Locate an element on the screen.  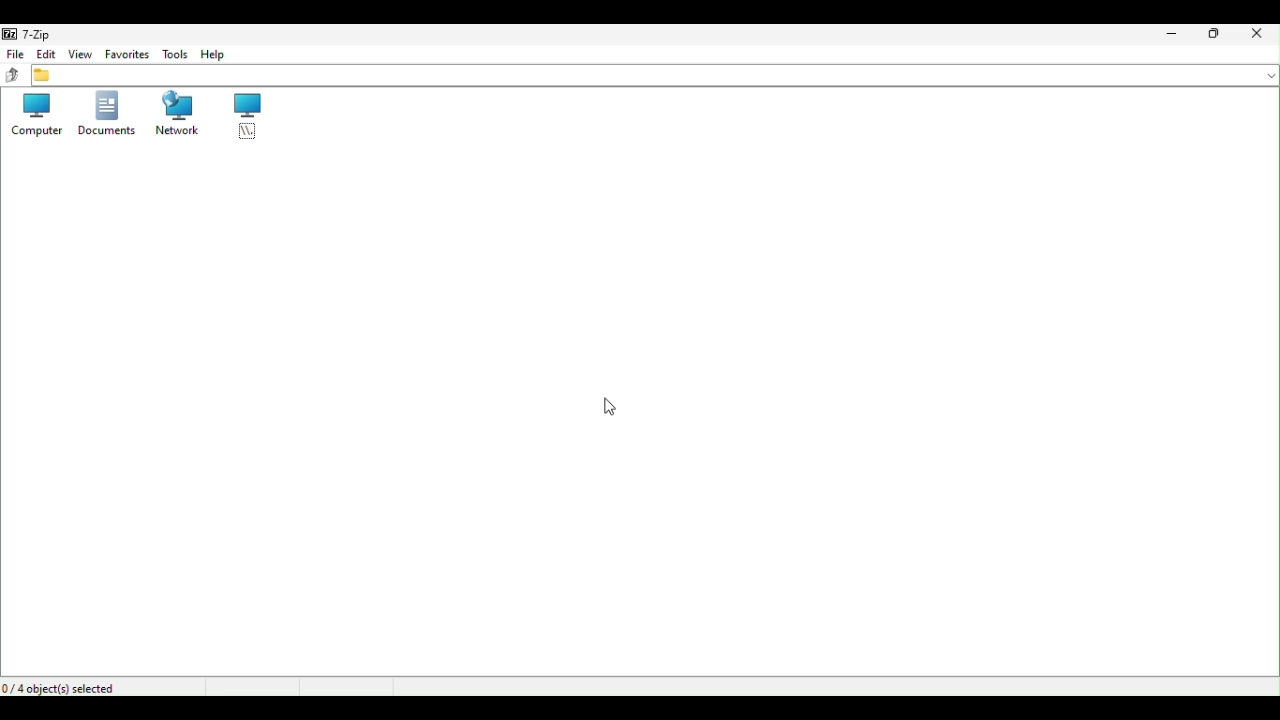
Help is located at coordinates (215, 53).